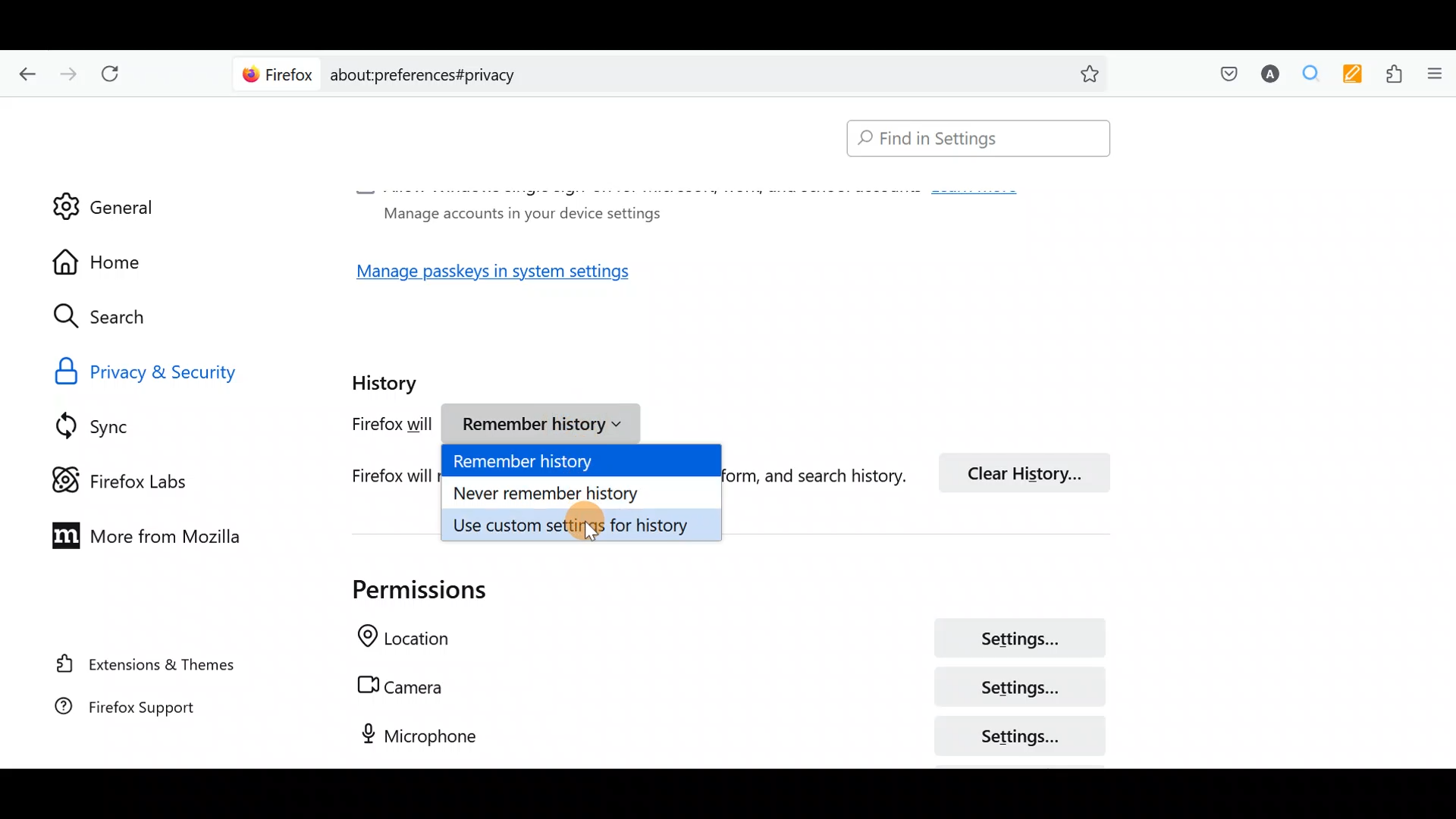 This screenshot has width=1456, height=819. What do you see at coordinates (112, 262) in the screenshot?
I see `Home` at bounding box center [112, 262].